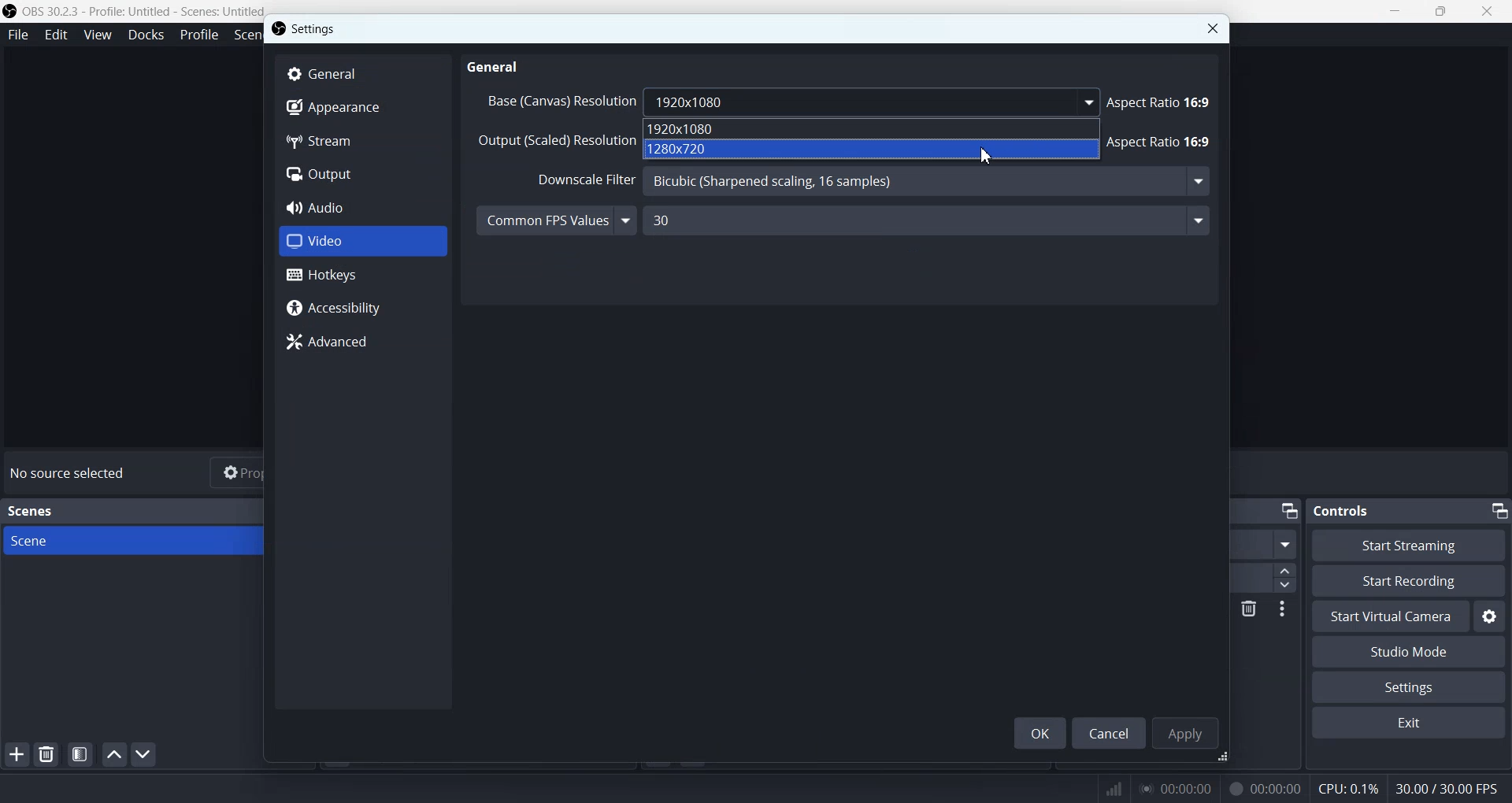  Describe the element at coordinates (145, 35) in the screenshot. I see `Docks` at that location.